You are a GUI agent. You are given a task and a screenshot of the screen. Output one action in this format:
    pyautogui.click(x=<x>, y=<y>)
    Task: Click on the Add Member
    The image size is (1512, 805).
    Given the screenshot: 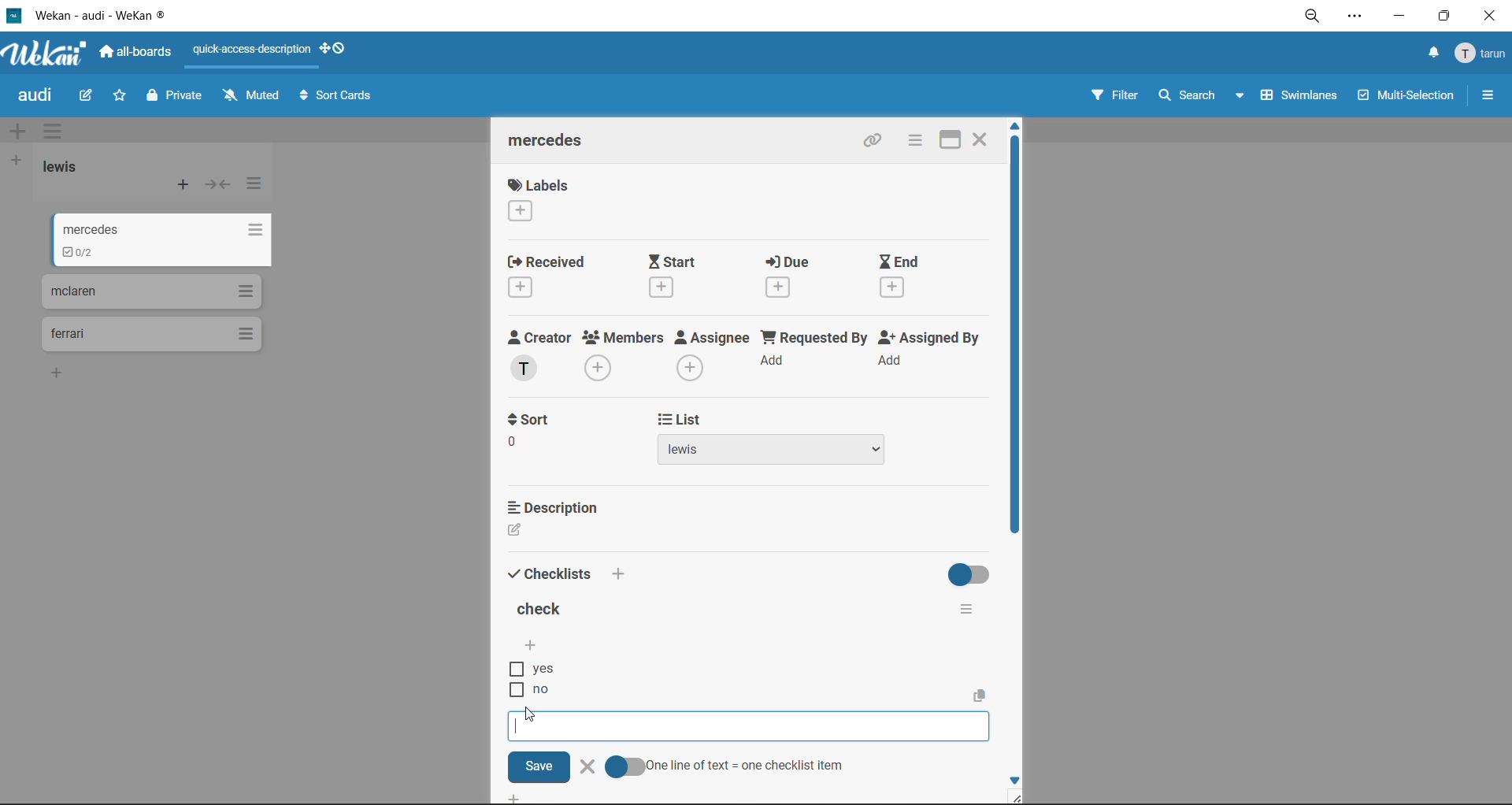 What is the action you would take?
    pyautogui.click(x=600, y=369)
    